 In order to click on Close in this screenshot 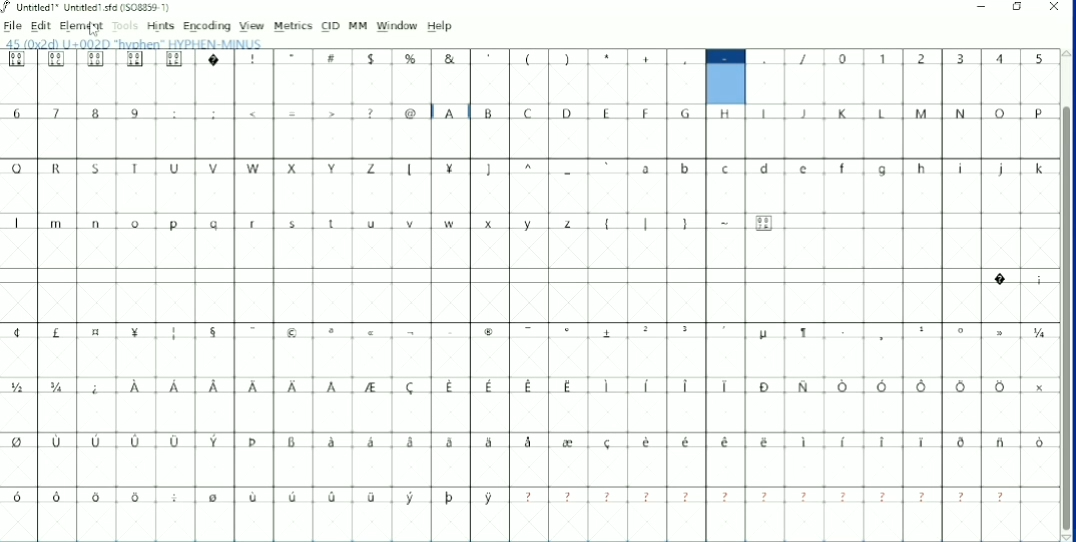, I will do `click(1054, 9)`.